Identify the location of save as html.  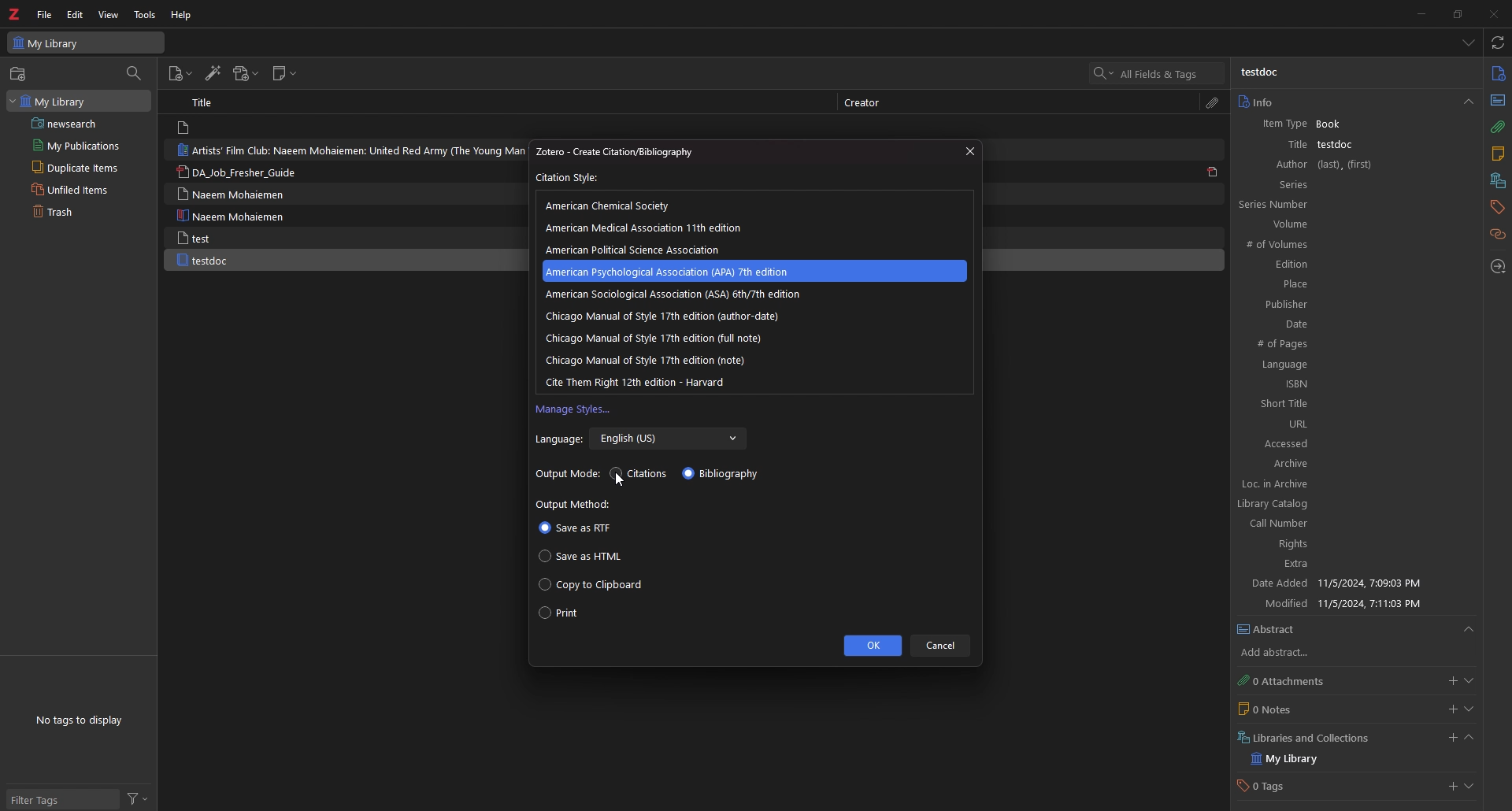
(584, 556).